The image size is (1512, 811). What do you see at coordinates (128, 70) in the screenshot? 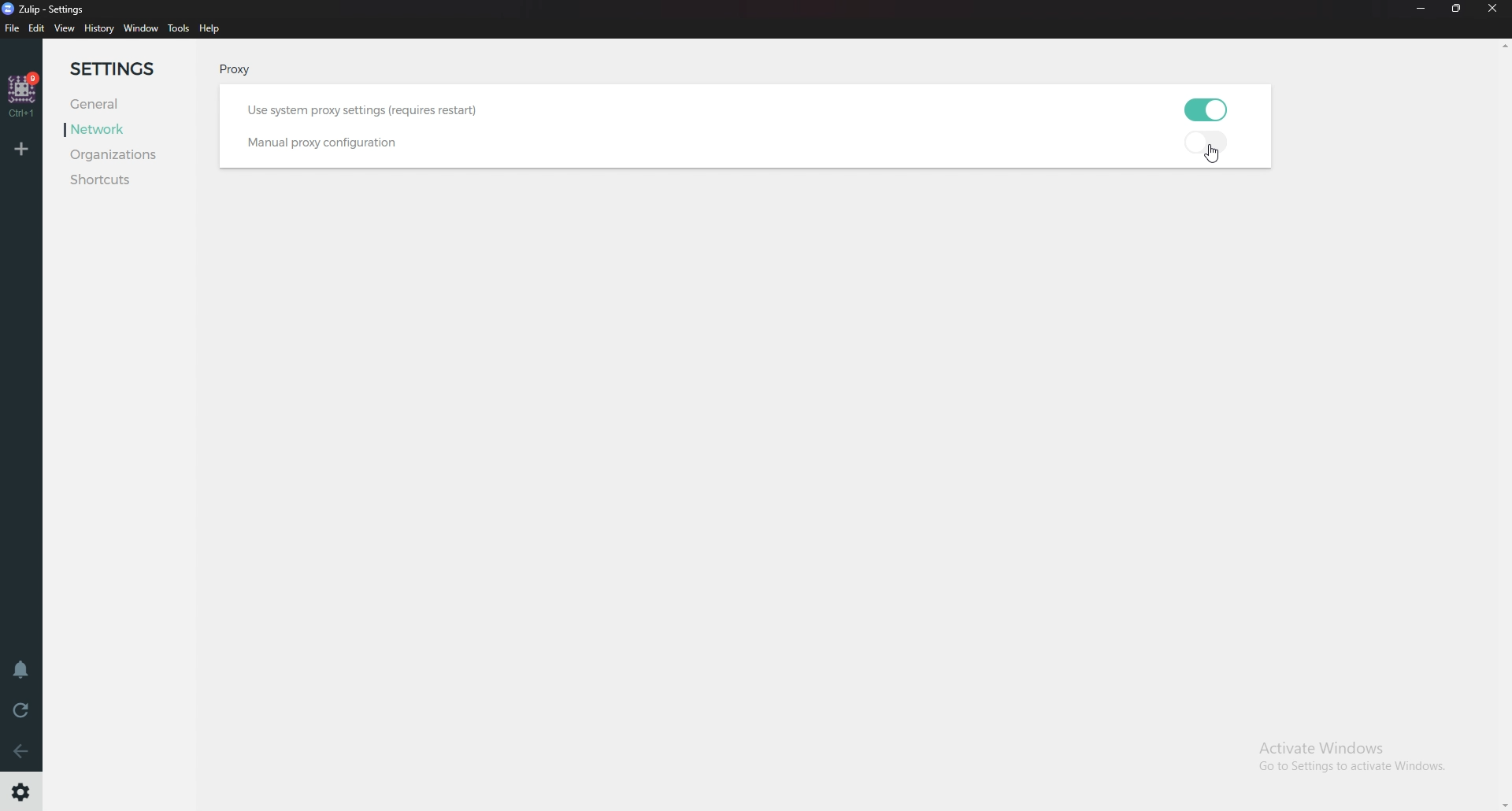
I see `Settings` at bounding box center [128, 70].